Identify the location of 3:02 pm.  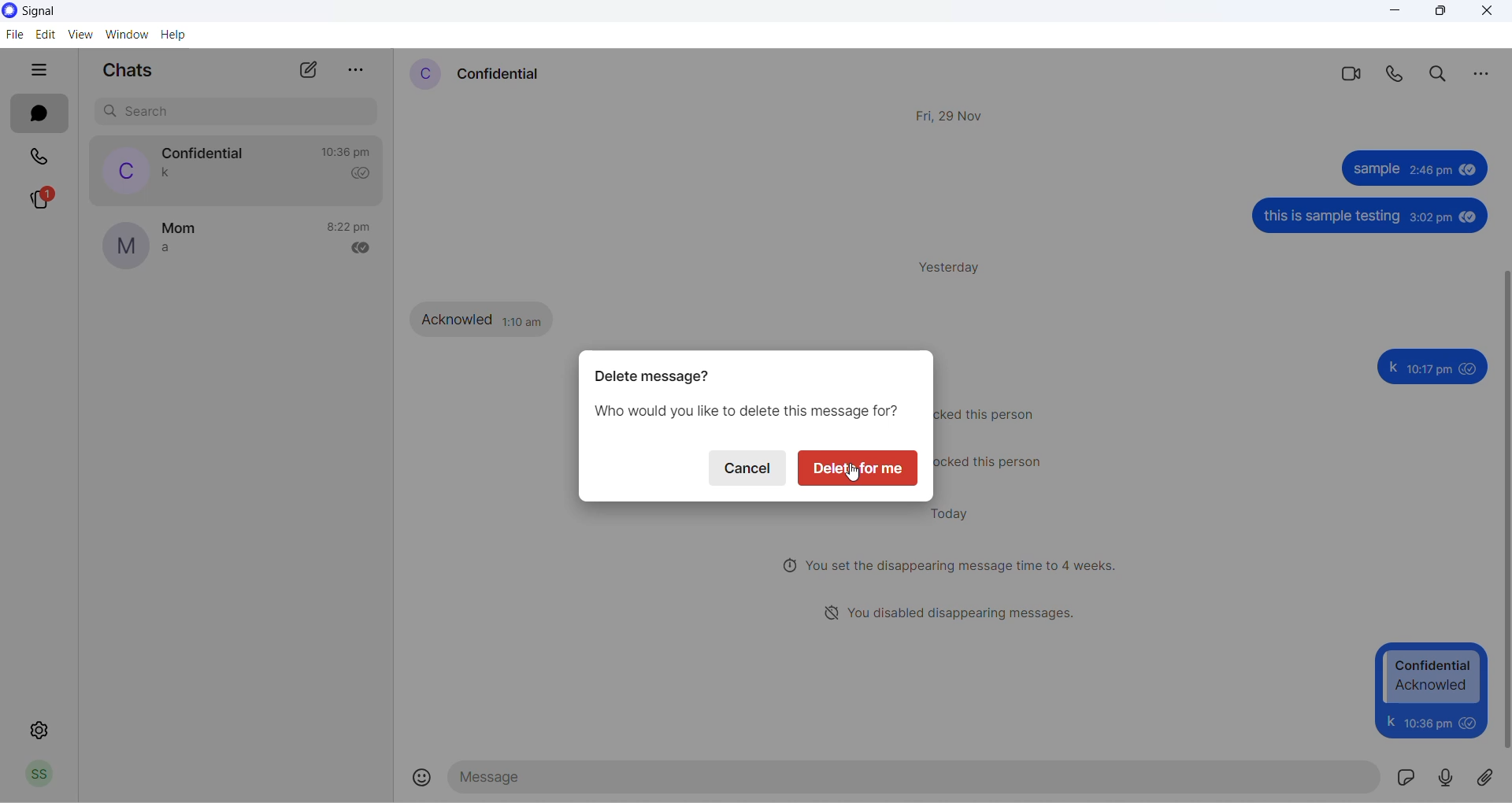
(1430, 218).